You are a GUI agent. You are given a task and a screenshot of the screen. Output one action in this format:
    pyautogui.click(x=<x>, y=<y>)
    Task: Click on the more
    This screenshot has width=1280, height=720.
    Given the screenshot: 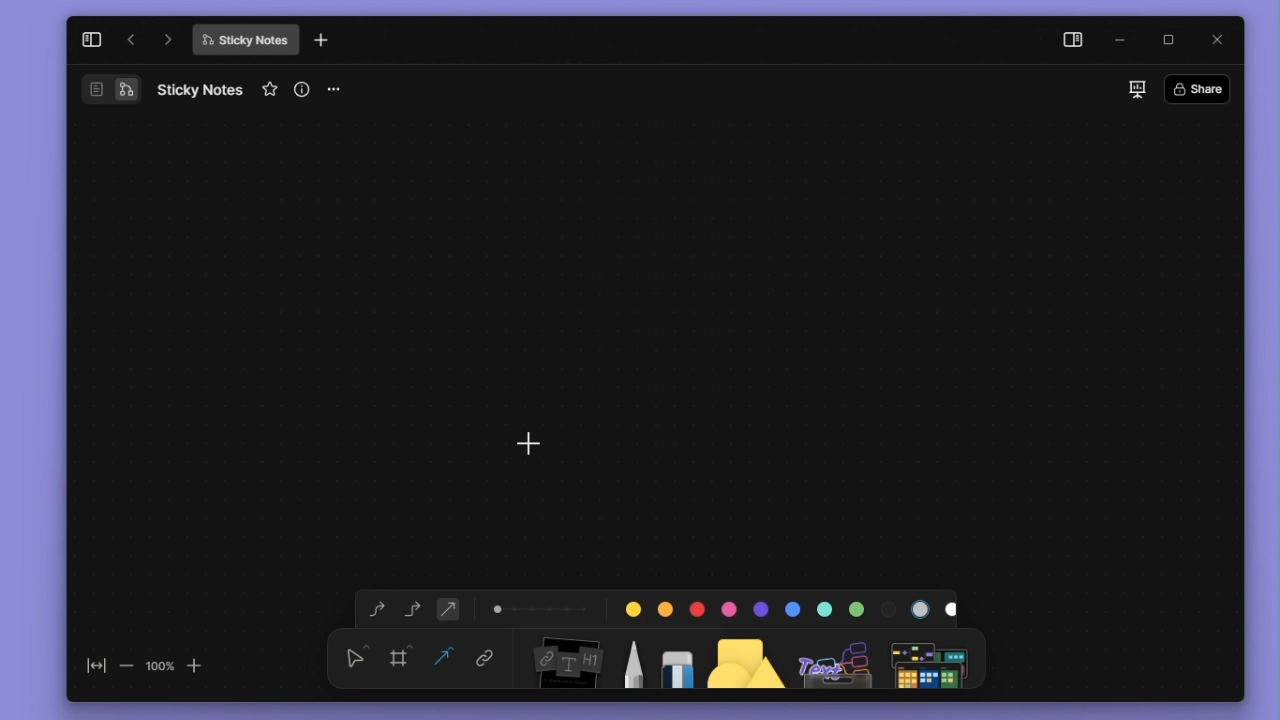 What is the action you would take?
    pyautogui.click(x=933, y=658)
    